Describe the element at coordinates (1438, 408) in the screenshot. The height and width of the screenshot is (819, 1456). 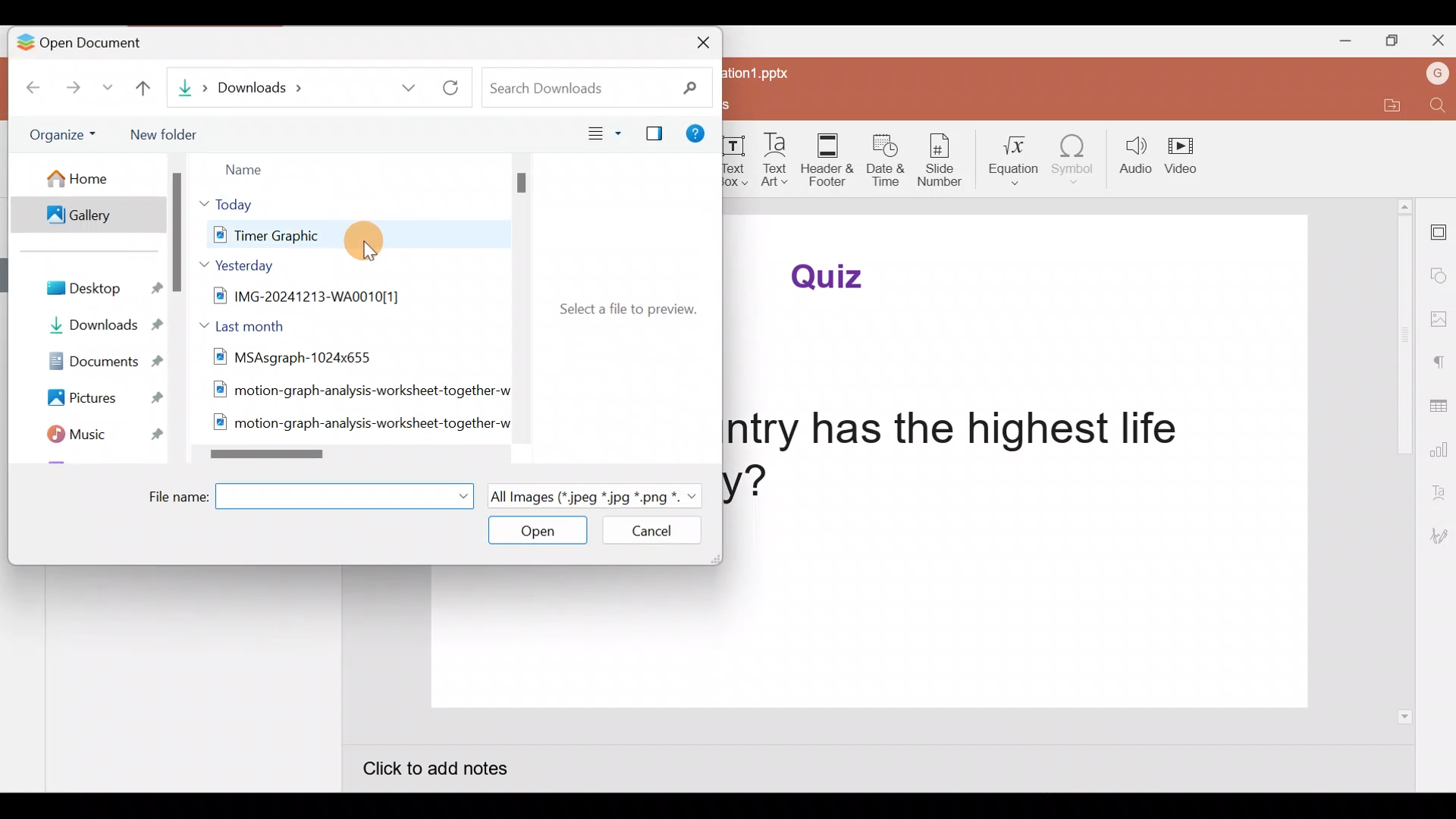
I see `Table settings` at that location.